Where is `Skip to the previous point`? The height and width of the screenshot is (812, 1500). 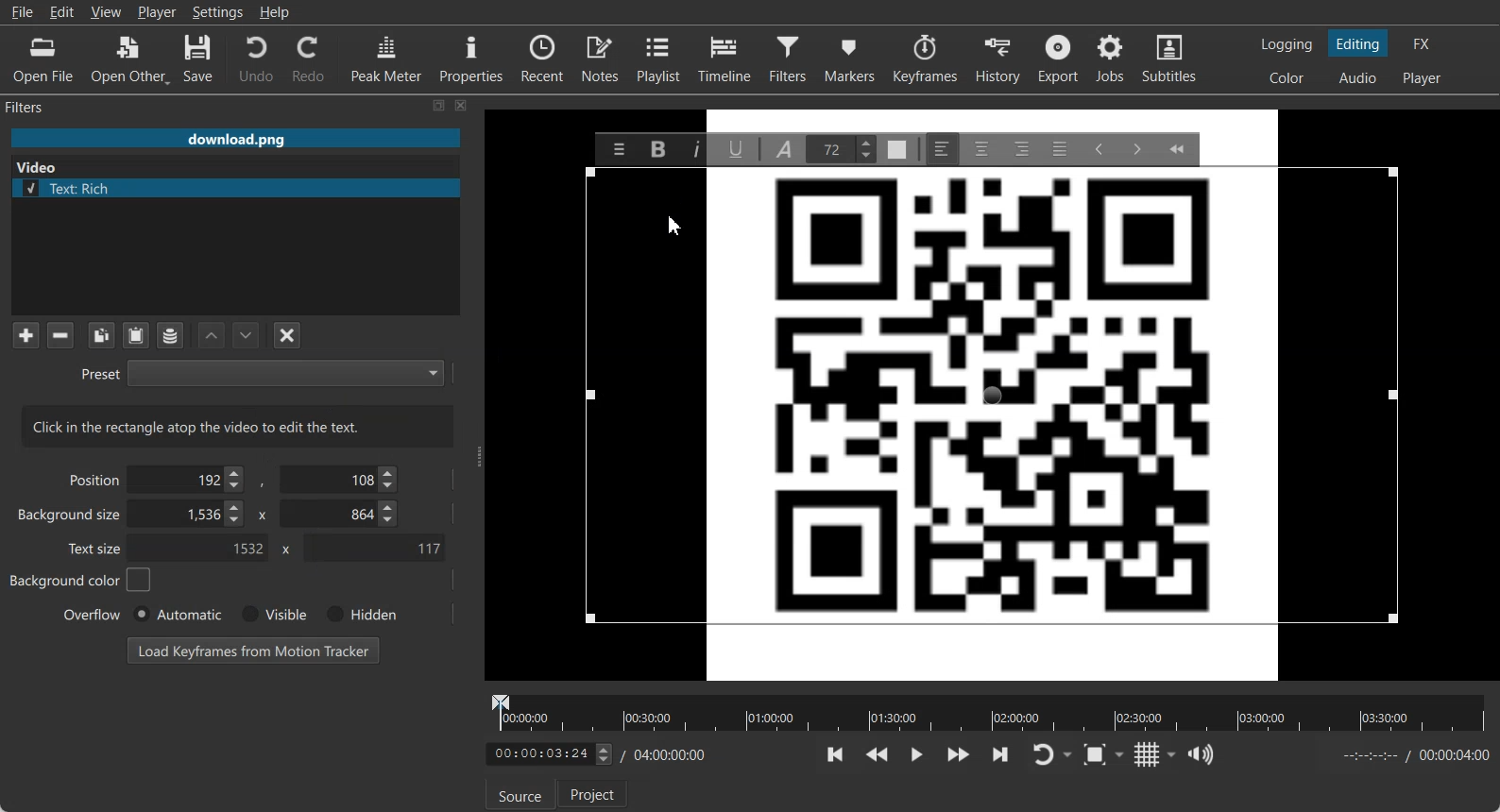
Skip to the previous point is located at coordinates (837, 754).